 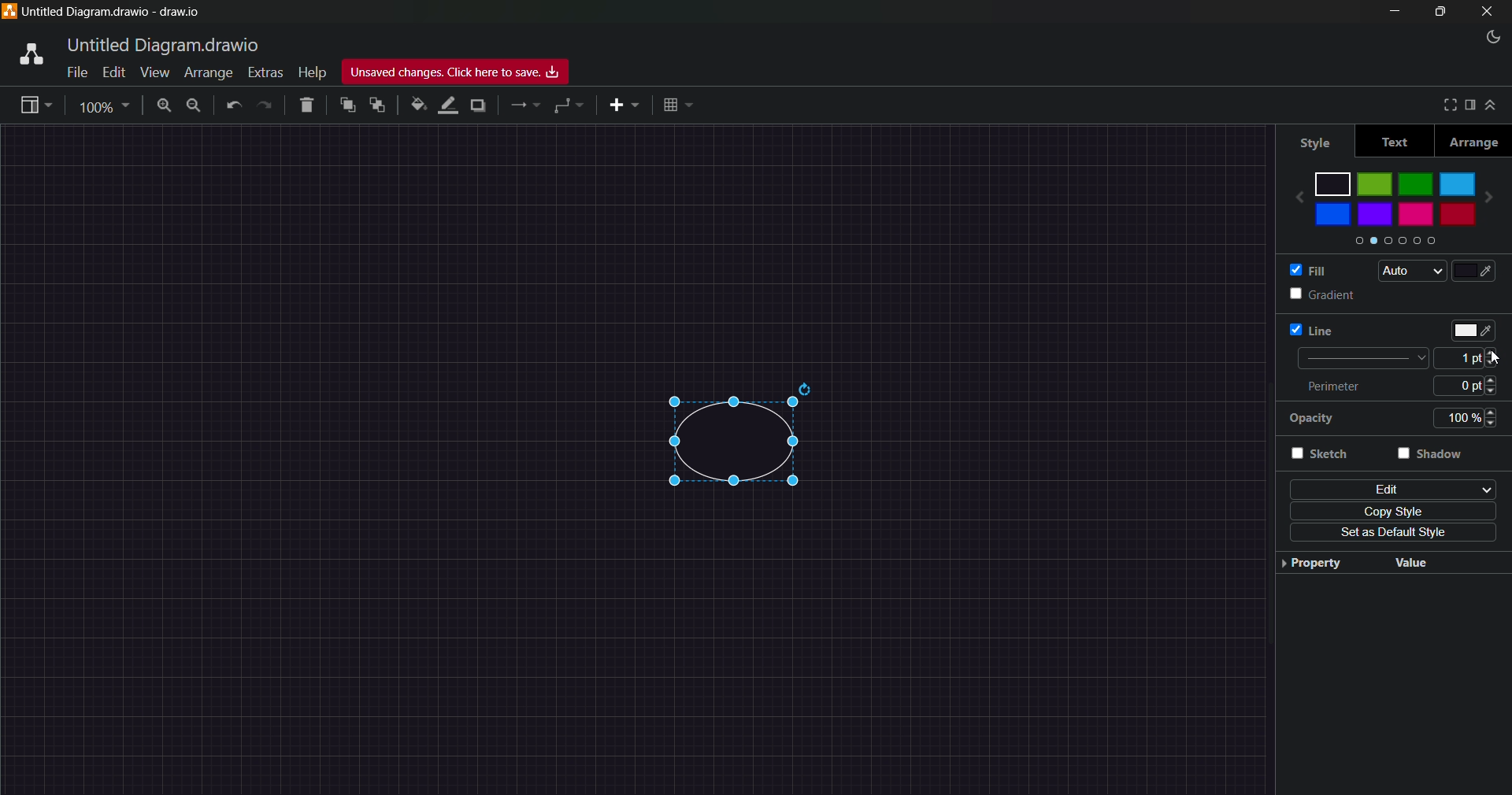 What do you see at coordinates (155, 72) in the screenshot?
I see `view` at bounding box center [155, 72].